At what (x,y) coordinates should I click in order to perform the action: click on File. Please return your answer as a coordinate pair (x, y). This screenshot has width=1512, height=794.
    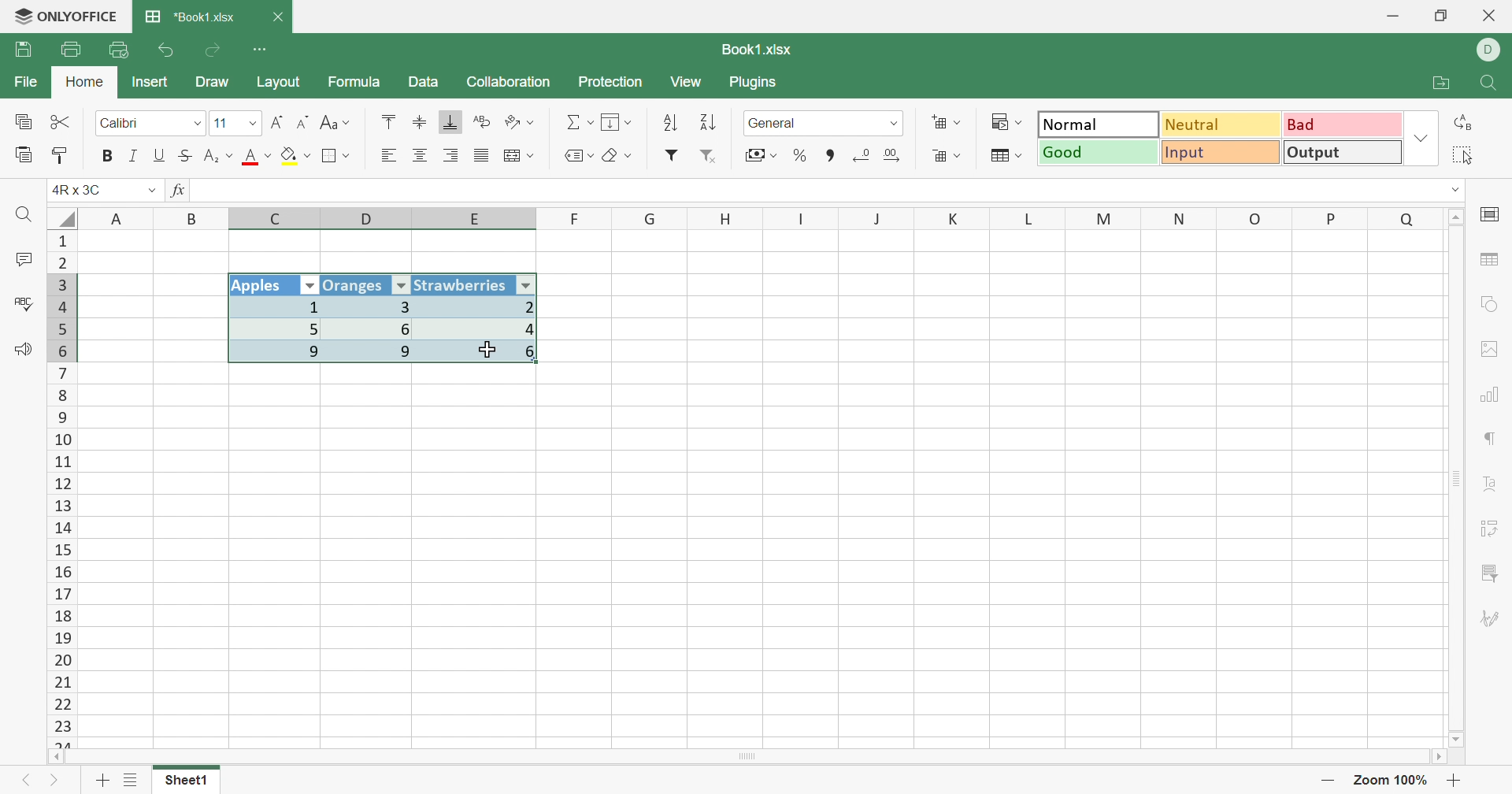
    Looking at the image, I should click on (22, 83).